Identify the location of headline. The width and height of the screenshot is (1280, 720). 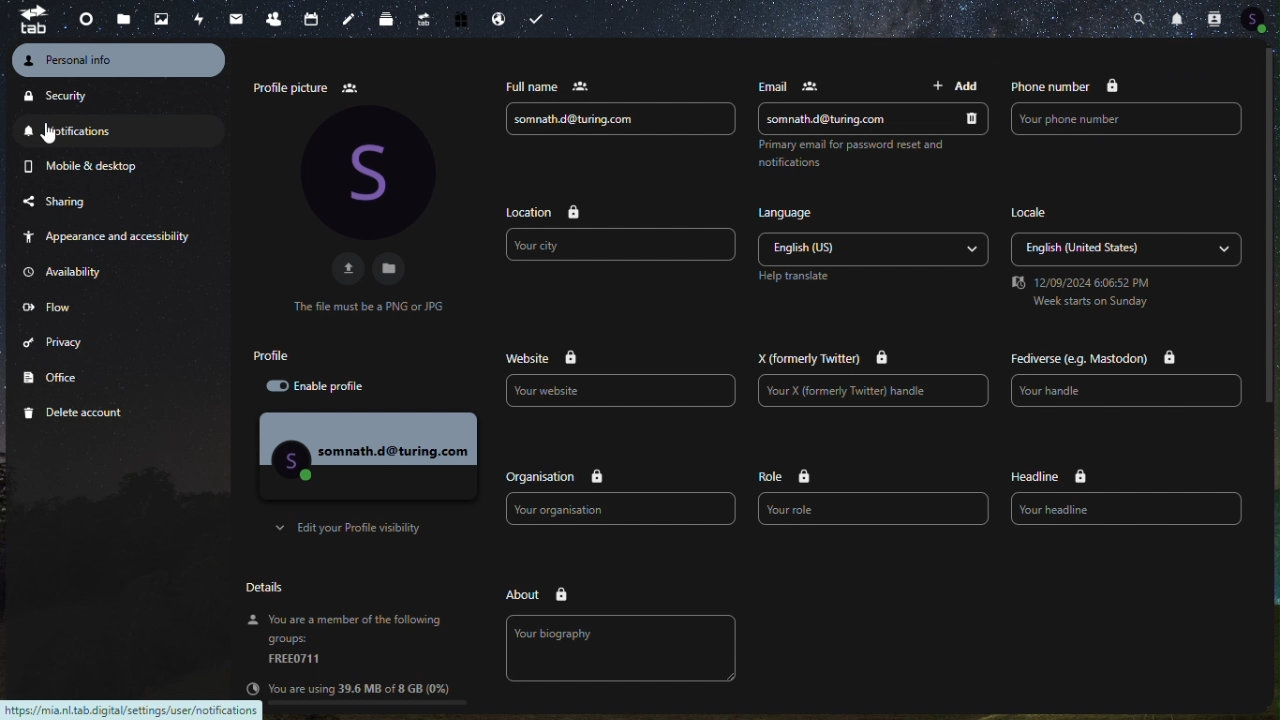
(1047, 476).